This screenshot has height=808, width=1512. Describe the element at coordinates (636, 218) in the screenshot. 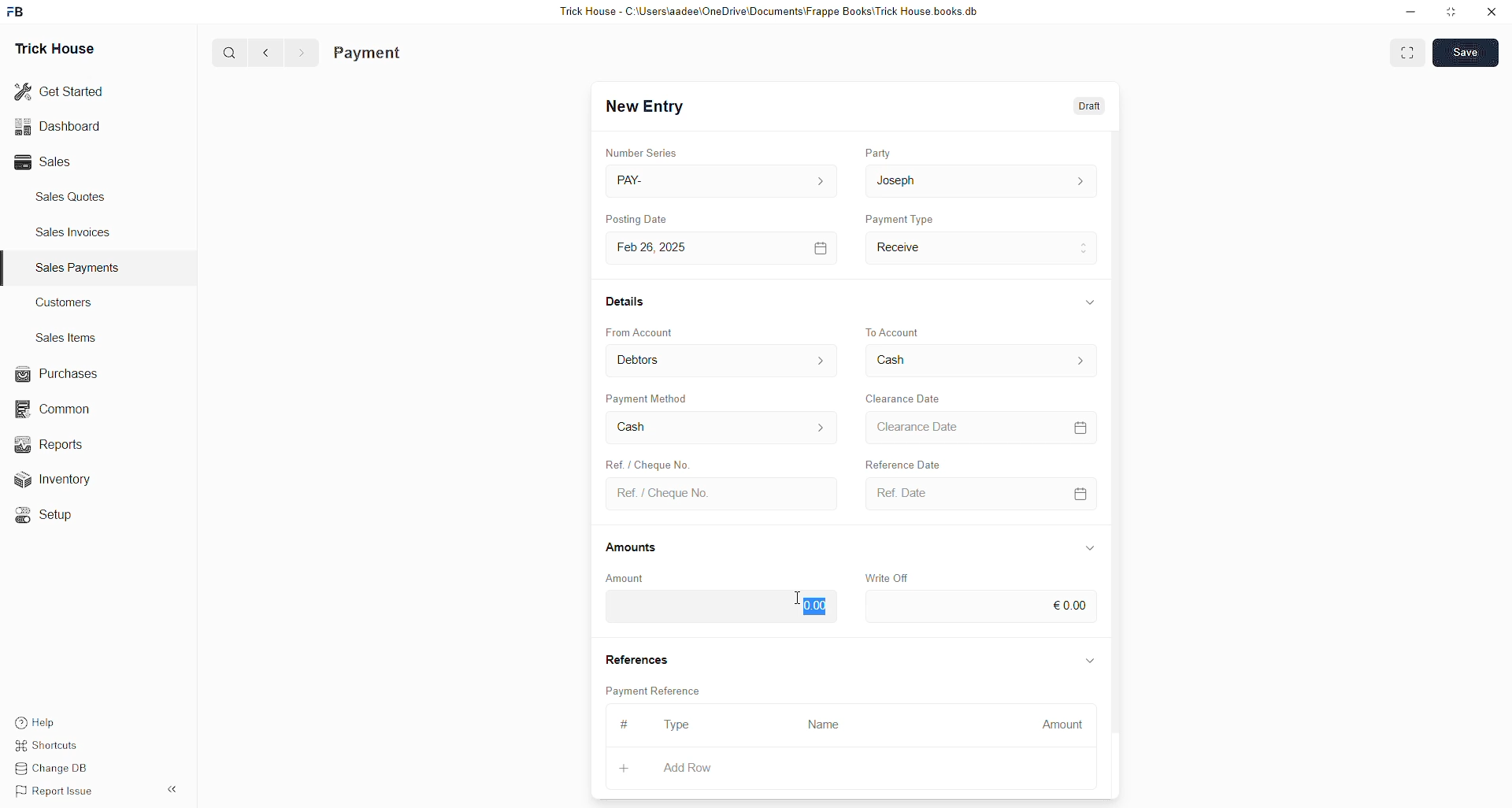

I see `Posting Date` at that location.